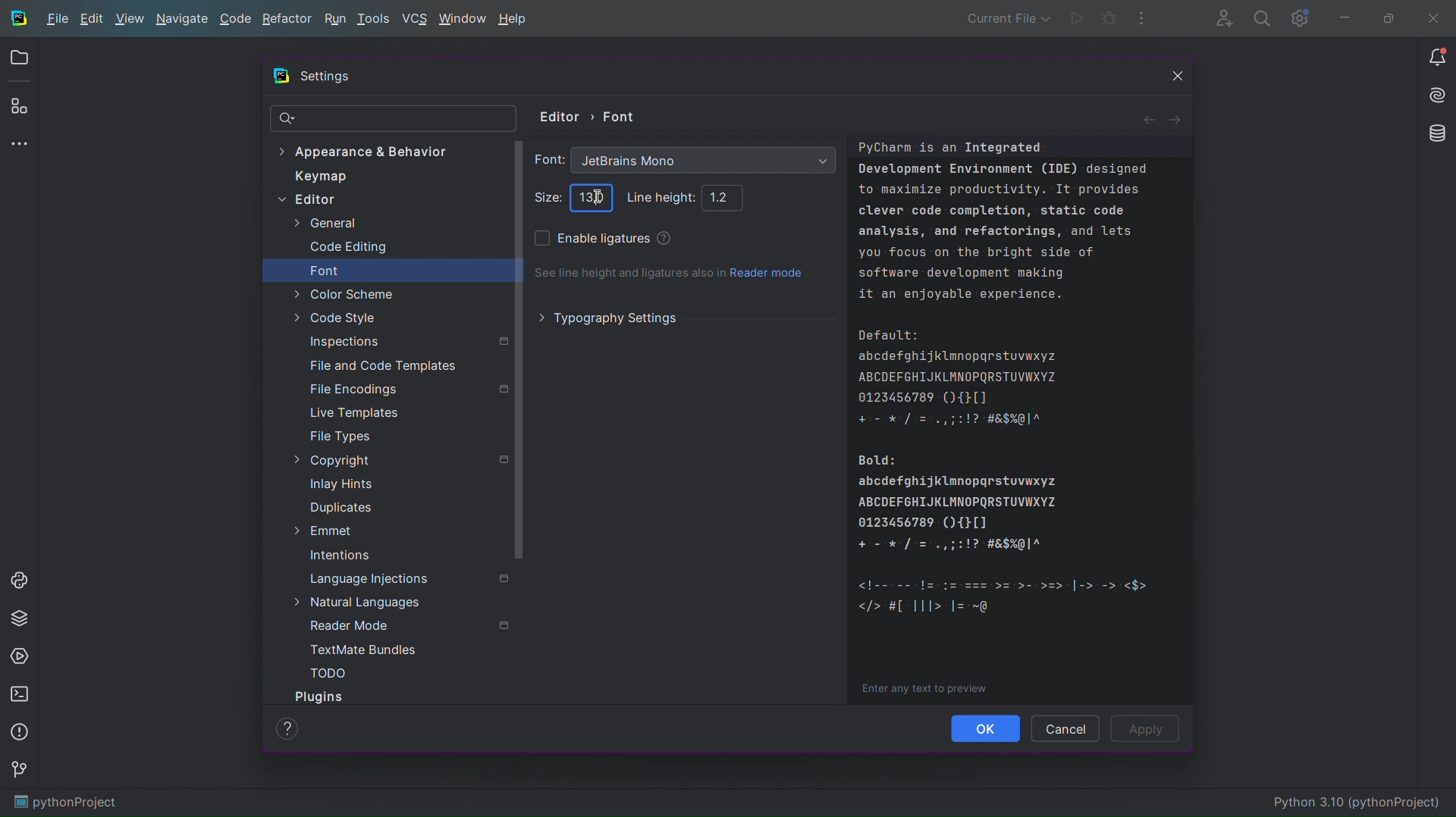 Image resolution: width=1456 pixels, height=817 pixels. What do you see at coordinates (1178, 117) in the screenshot?
I see `Next` at bounding box center [1178, 117].